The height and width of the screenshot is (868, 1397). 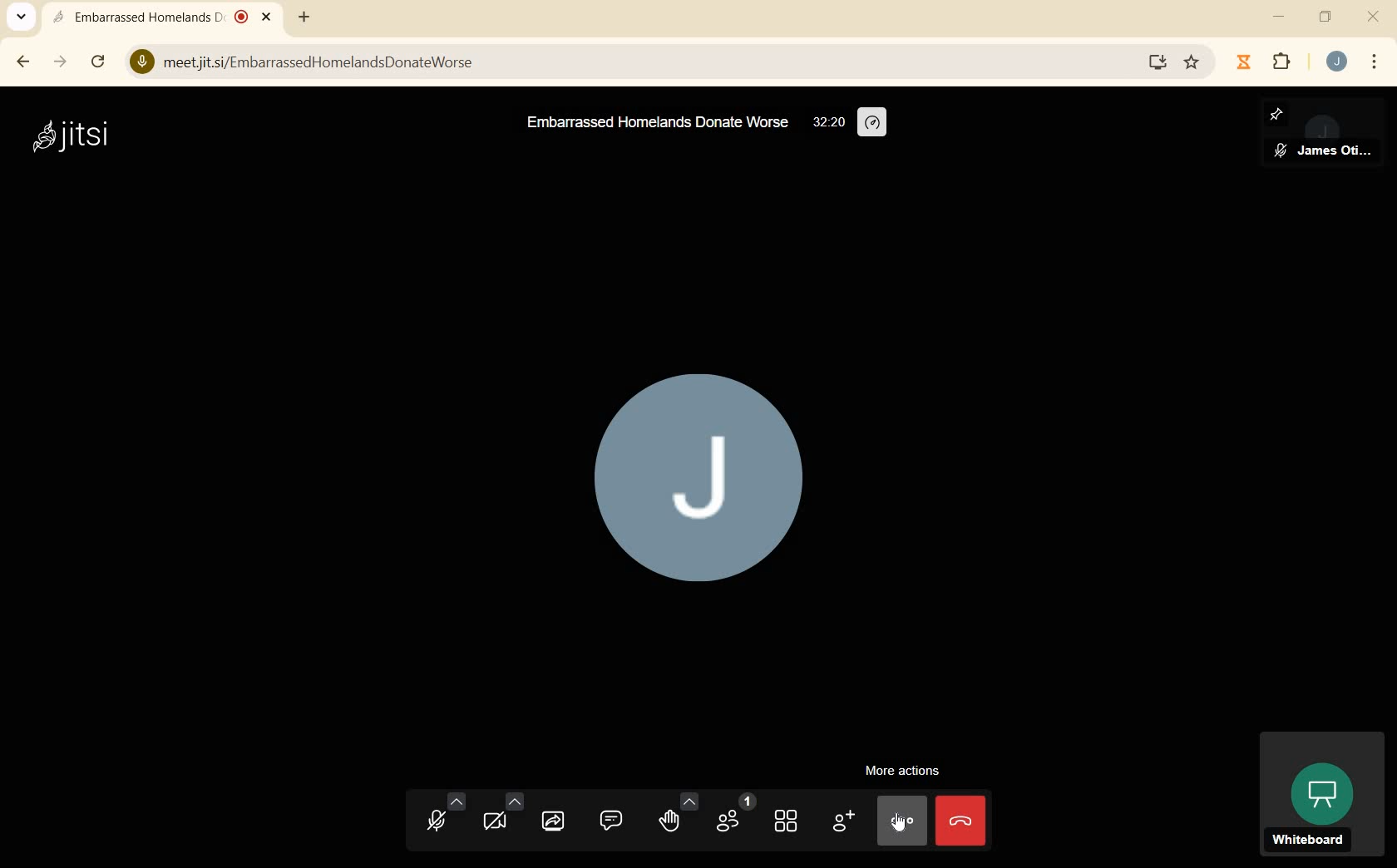 I want to click on leave meeting, so click(x=961, y=820).